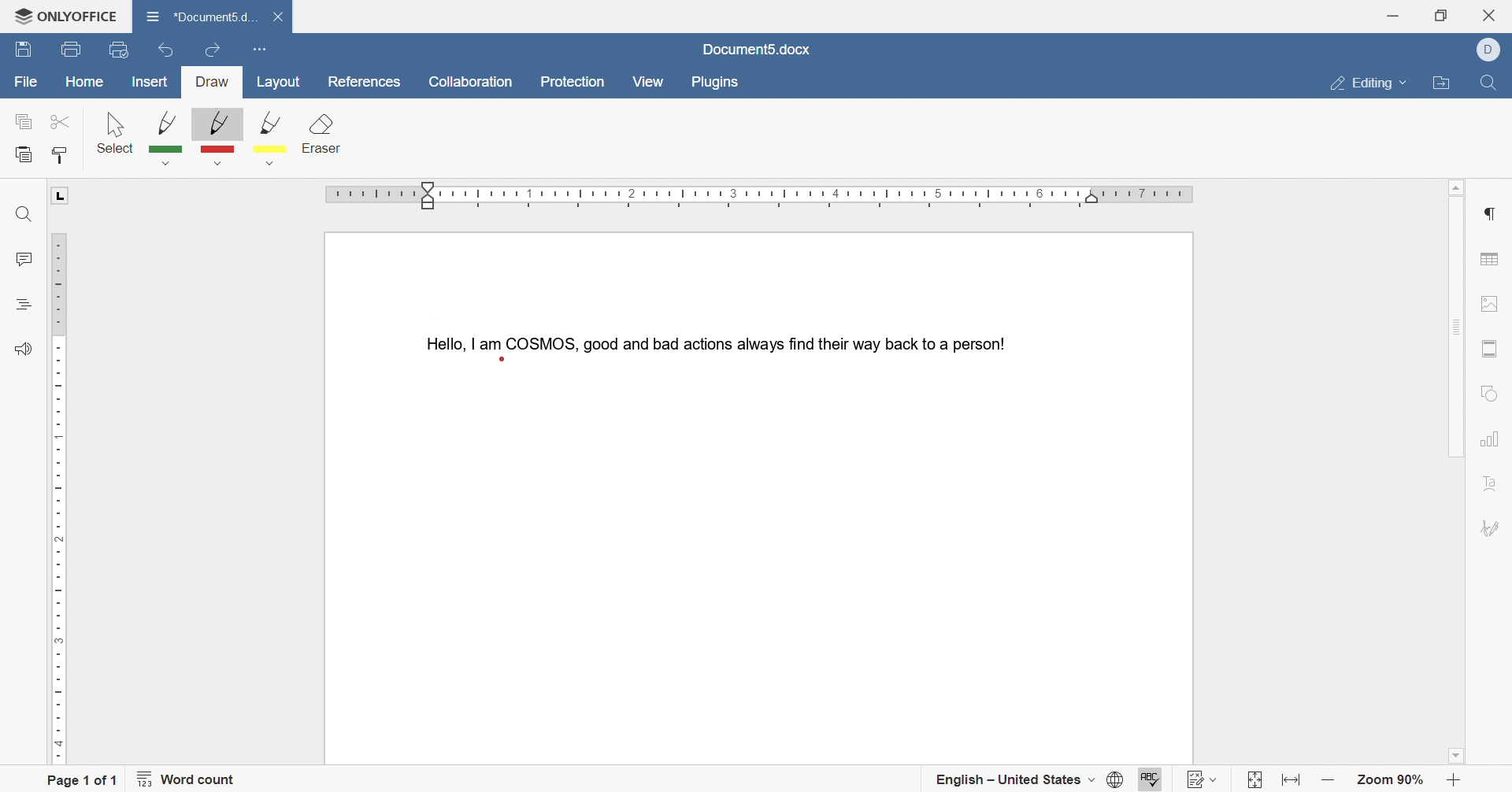 This screenshot has width=1512, height=792. I want to click on draw, so click(213, 83).